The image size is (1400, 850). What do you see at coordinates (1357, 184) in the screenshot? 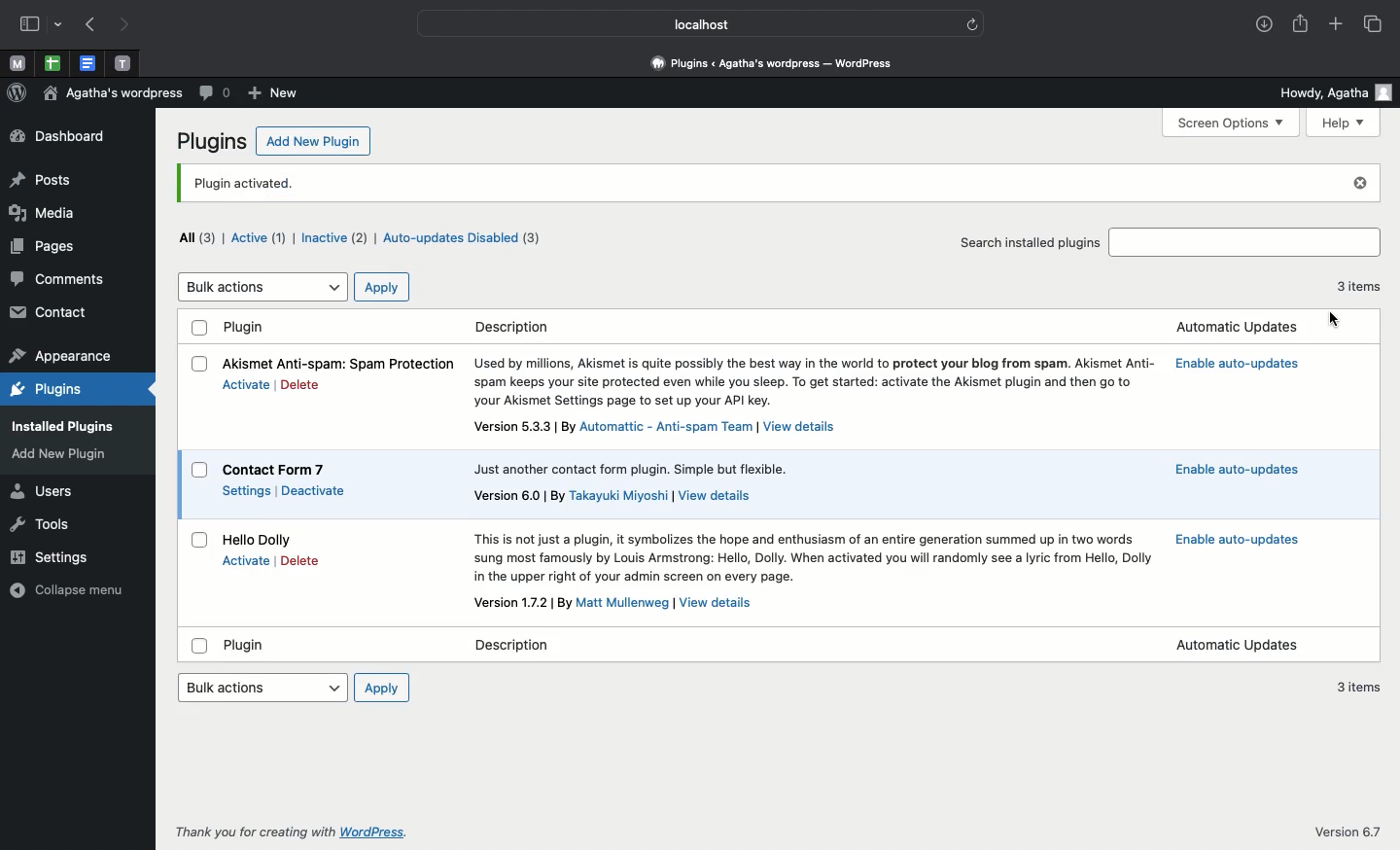
I see `close` at bounding box center [1357, 184].